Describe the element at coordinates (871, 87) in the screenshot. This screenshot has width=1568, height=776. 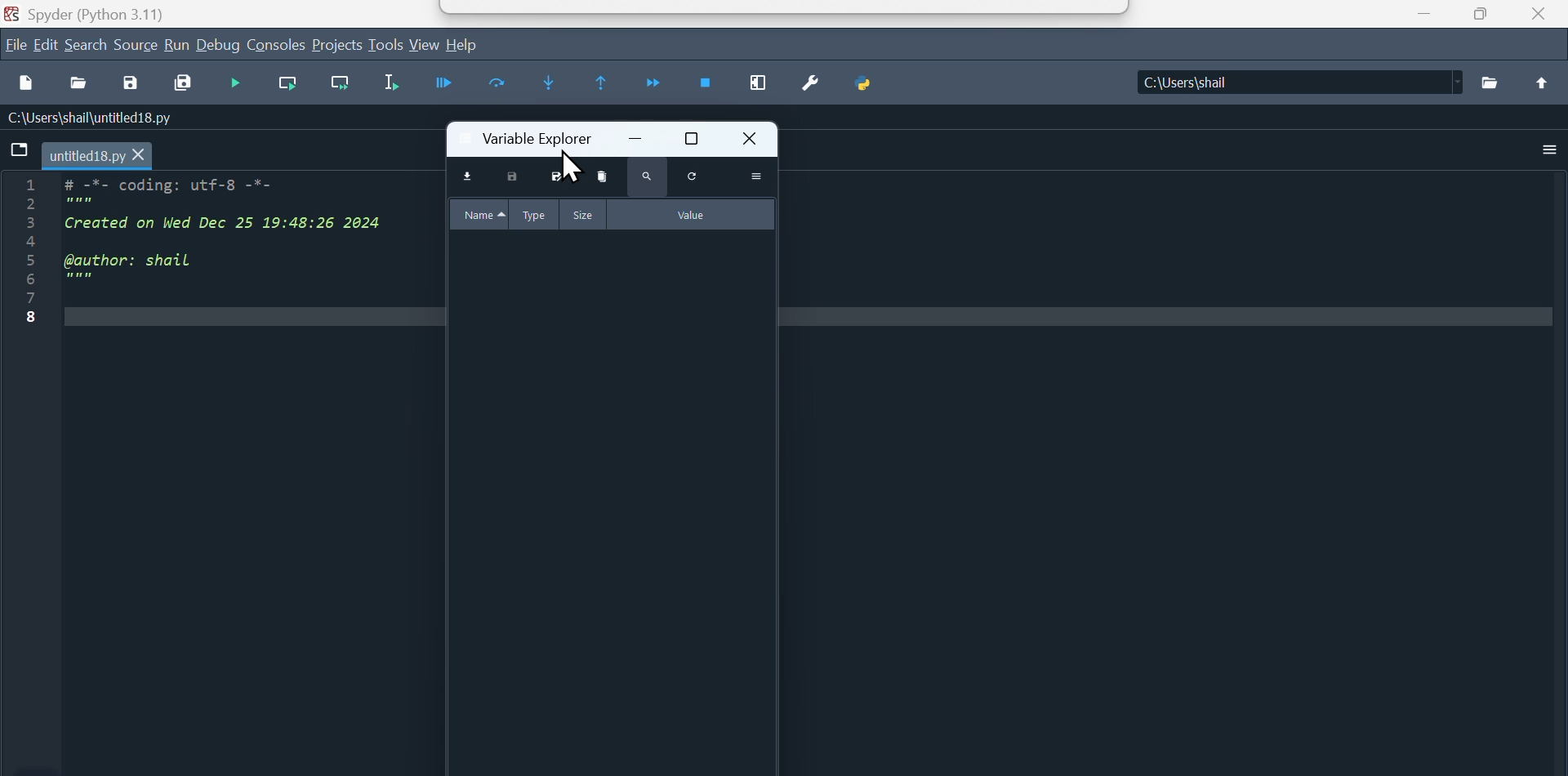
I see `Python PathManager` at that location.